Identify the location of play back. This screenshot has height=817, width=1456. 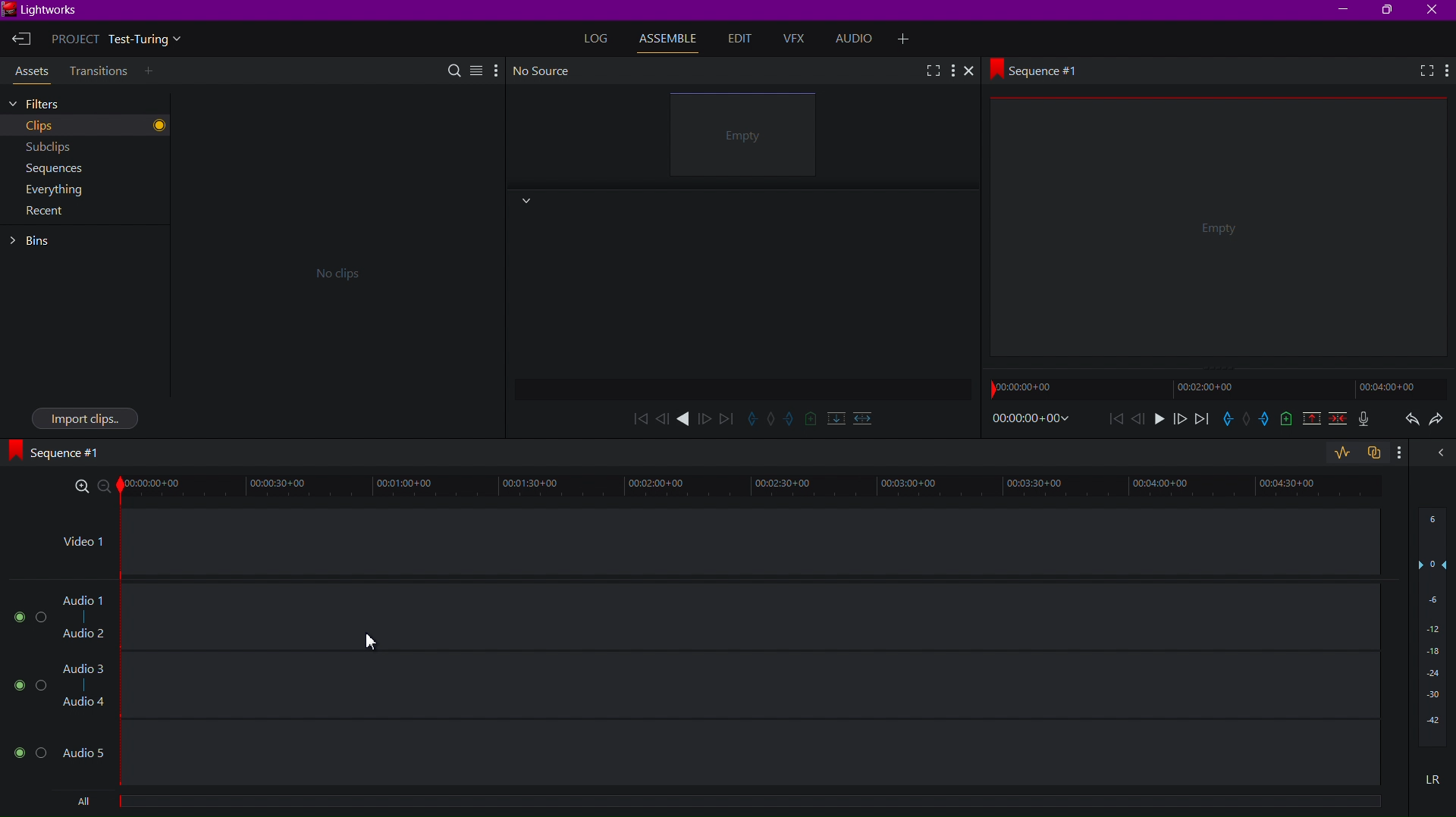
(639, 418).